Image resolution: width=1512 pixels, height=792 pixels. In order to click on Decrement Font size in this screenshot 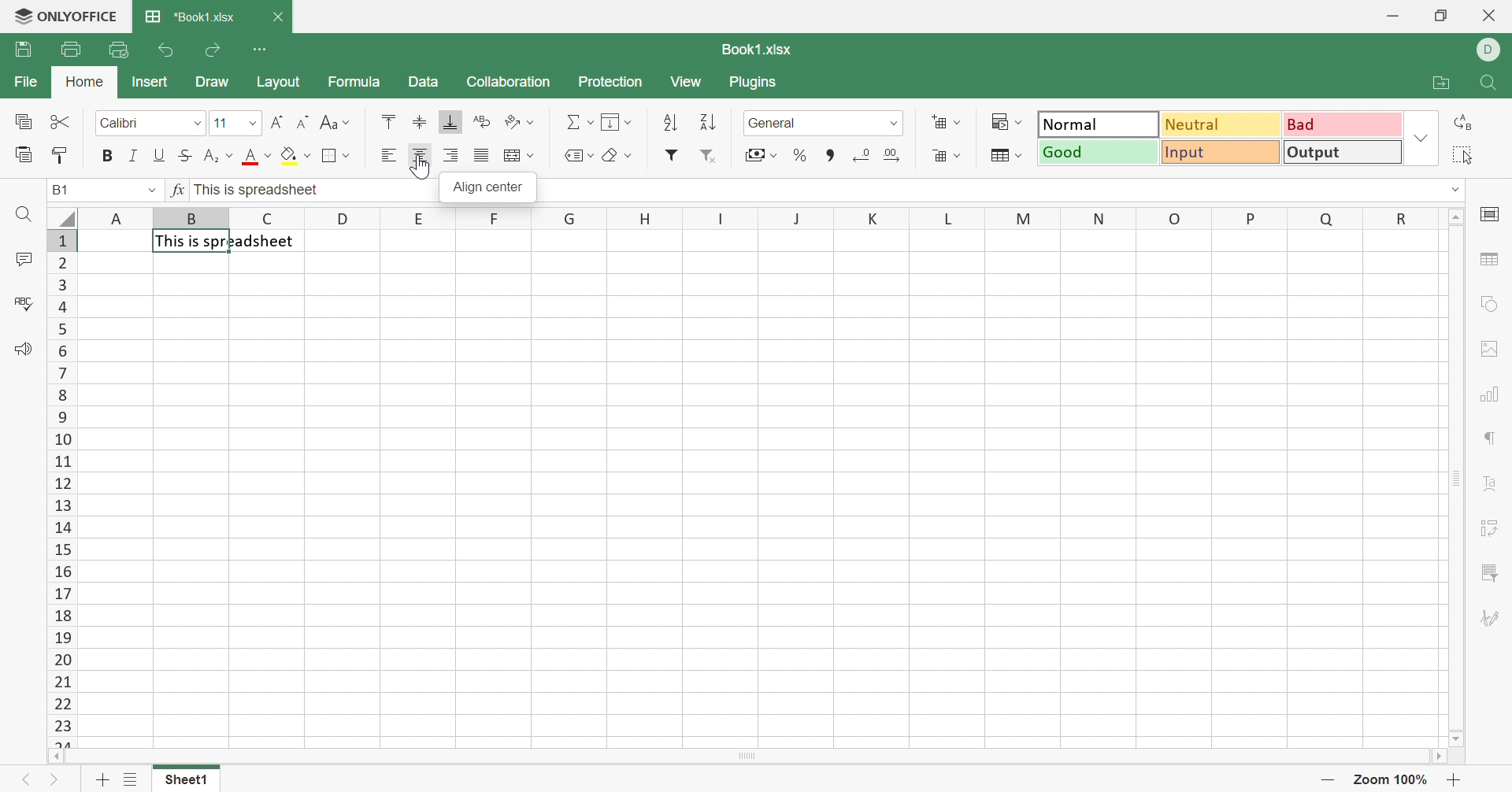, I will do `click(302, 121)`.